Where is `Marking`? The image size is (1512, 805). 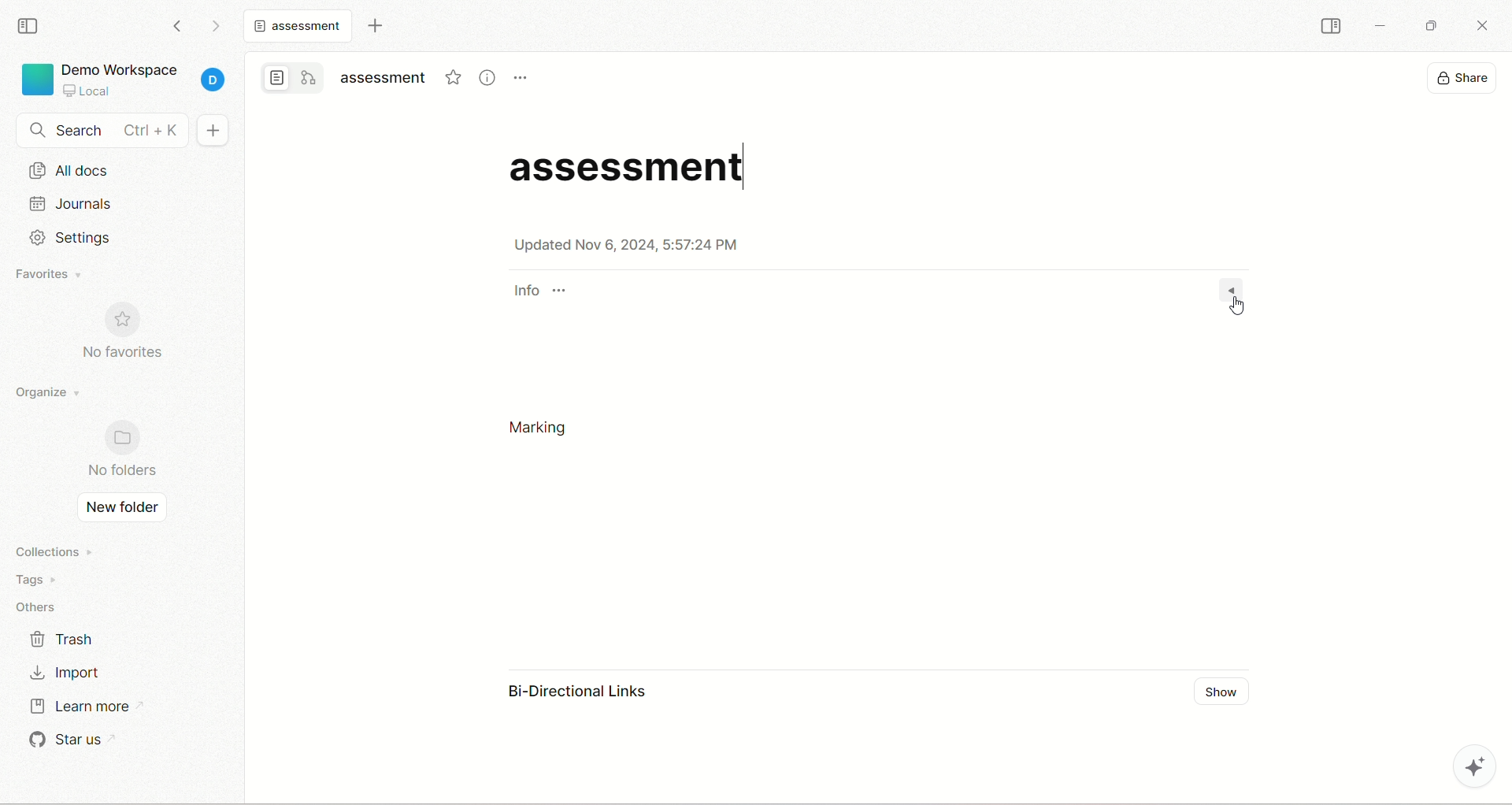
Marking is located at coordinates (543, 430).